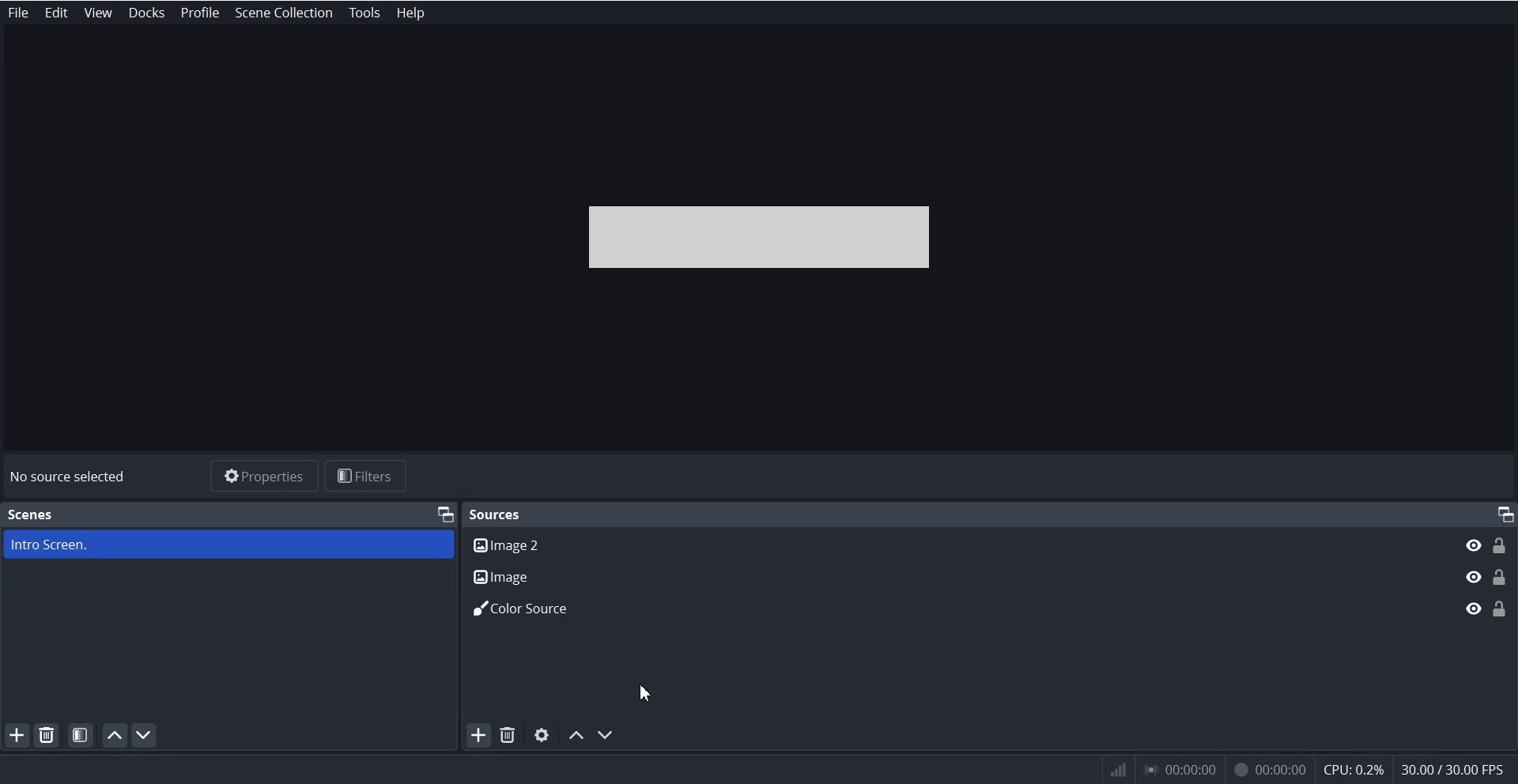 The image size is (1518, 784). Describe the element at coordinates (228, 545) in the screenshot. I see `Intro Screen` at that location.